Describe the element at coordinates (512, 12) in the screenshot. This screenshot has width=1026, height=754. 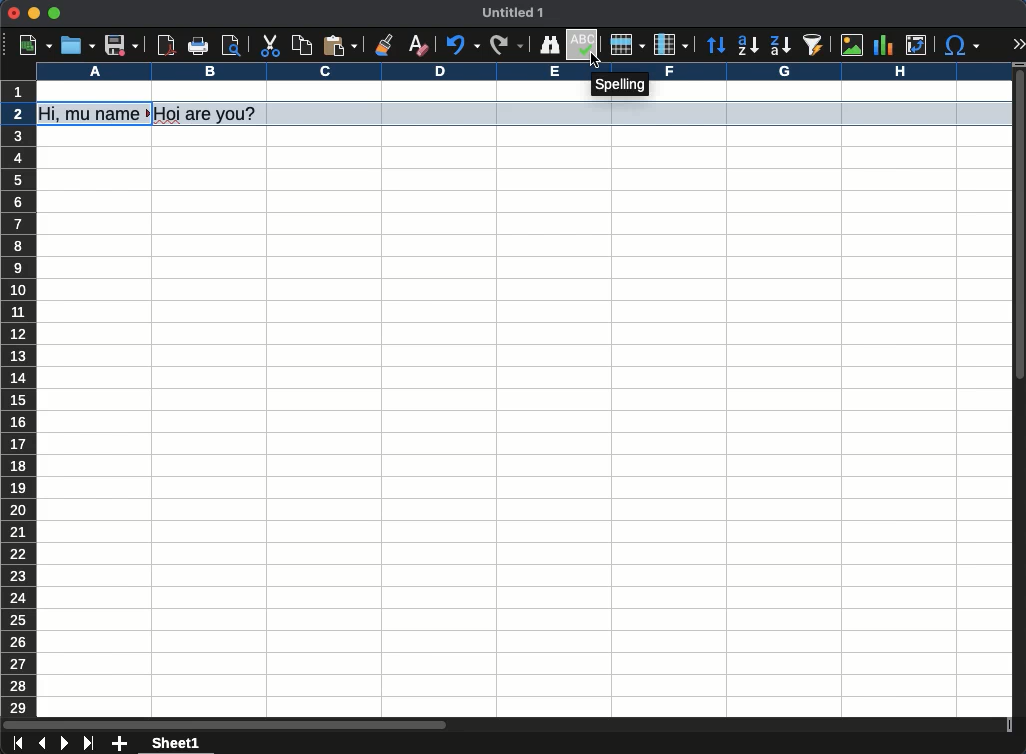
I see `untitled 1` at that location.